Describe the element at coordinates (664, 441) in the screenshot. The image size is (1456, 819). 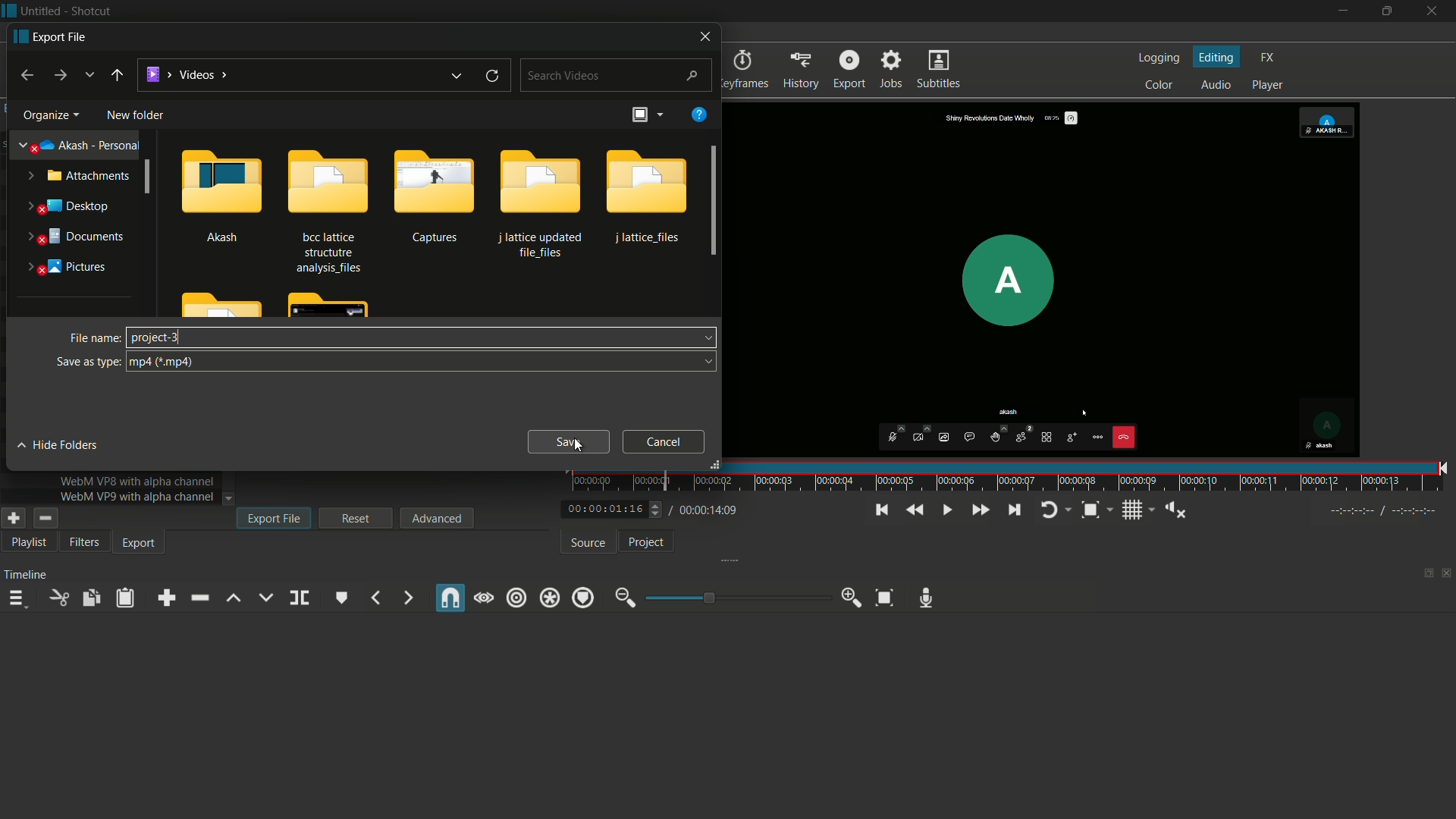
I see `Cancel` at that location.